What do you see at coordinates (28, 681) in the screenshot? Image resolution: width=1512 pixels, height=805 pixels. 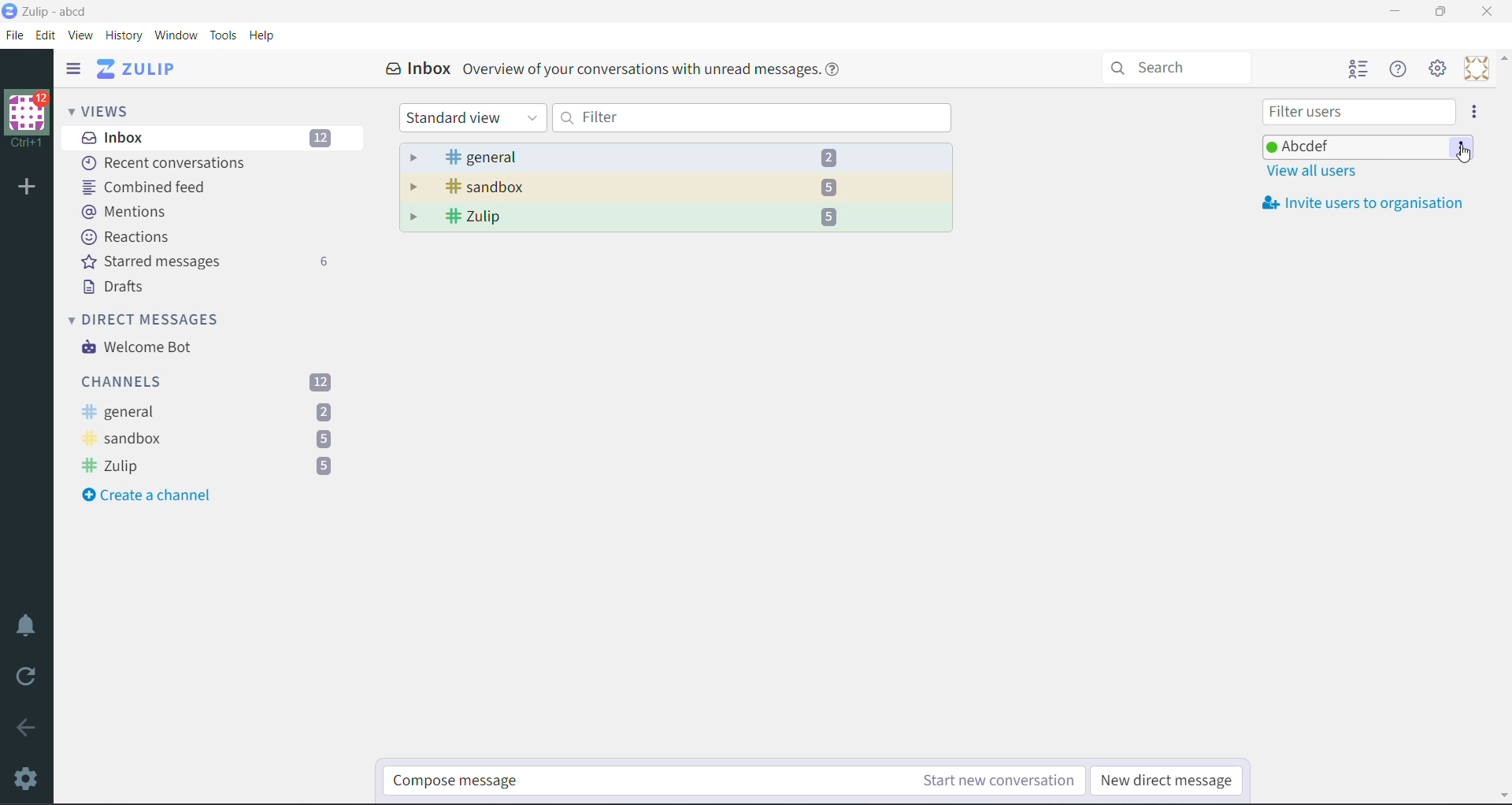 I see `Reload` at bounding box center [28, 681].